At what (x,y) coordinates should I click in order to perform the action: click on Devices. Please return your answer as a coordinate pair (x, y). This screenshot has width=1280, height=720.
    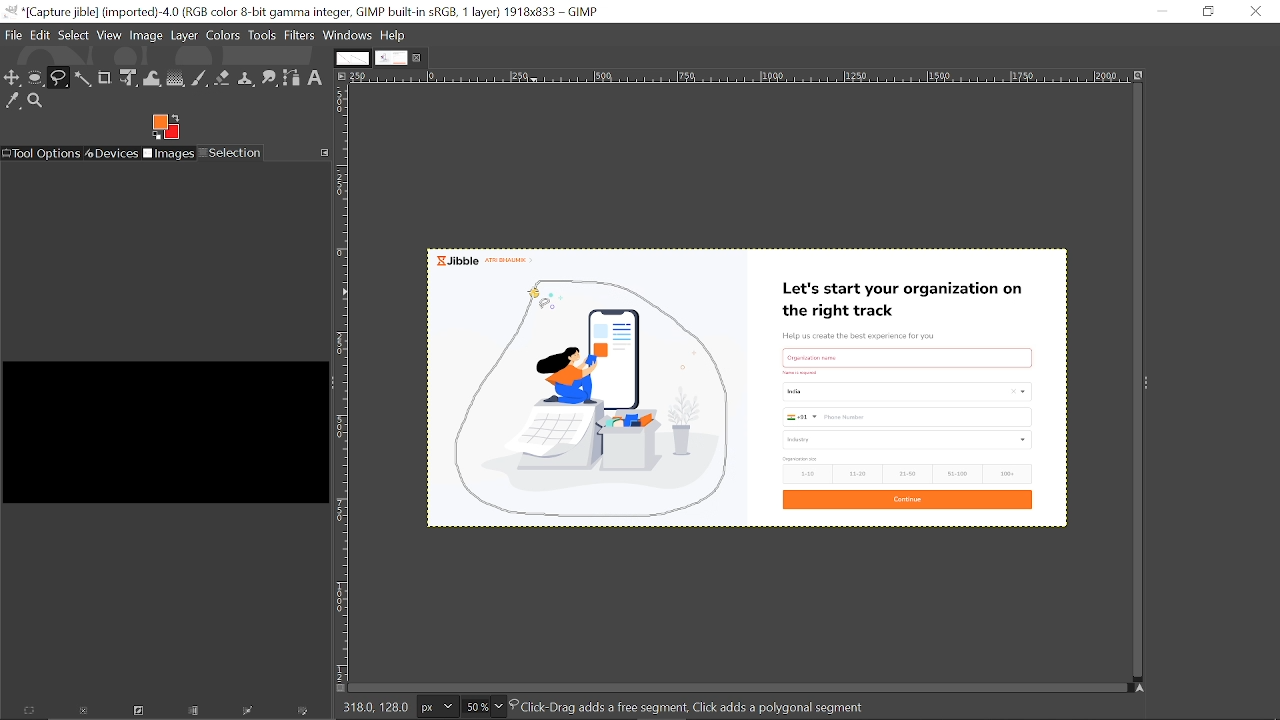
    Looking at the image, I should click on (113, 153).